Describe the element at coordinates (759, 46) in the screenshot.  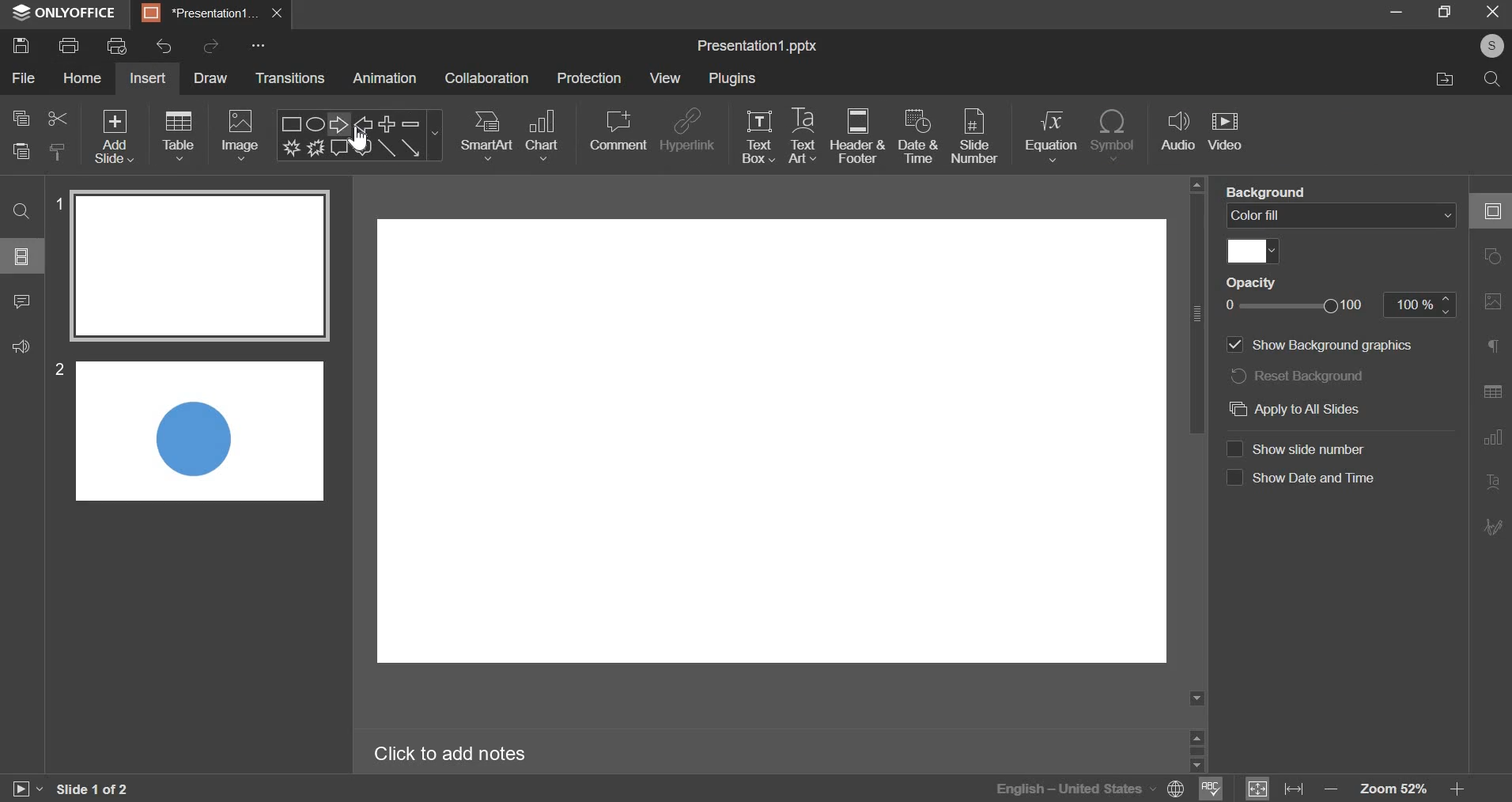
I see `presentation name` at that location.